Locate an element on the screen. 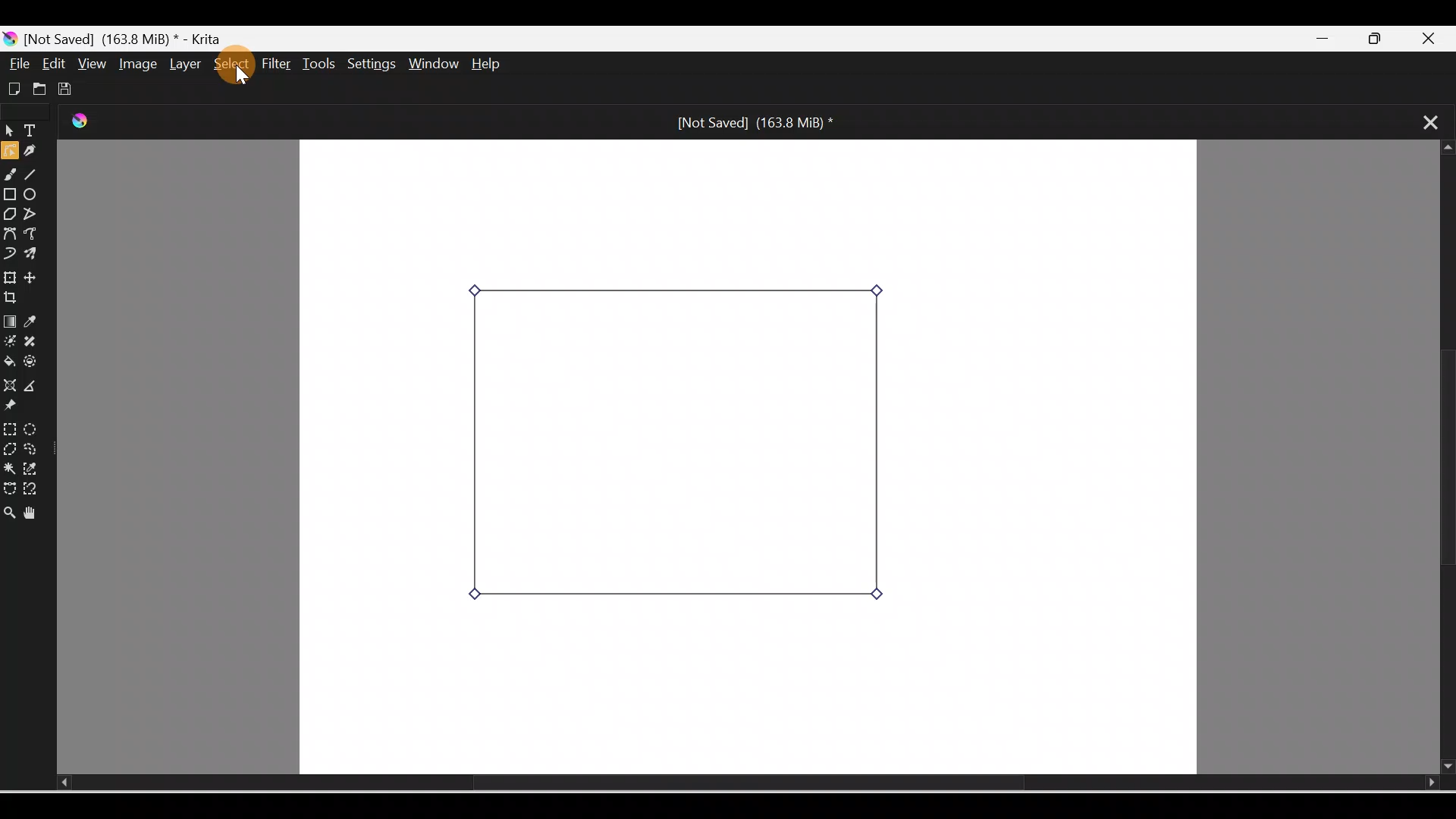 The height and width of the screenshot is (819, 1456). Save is located at coordinates (68, 86).